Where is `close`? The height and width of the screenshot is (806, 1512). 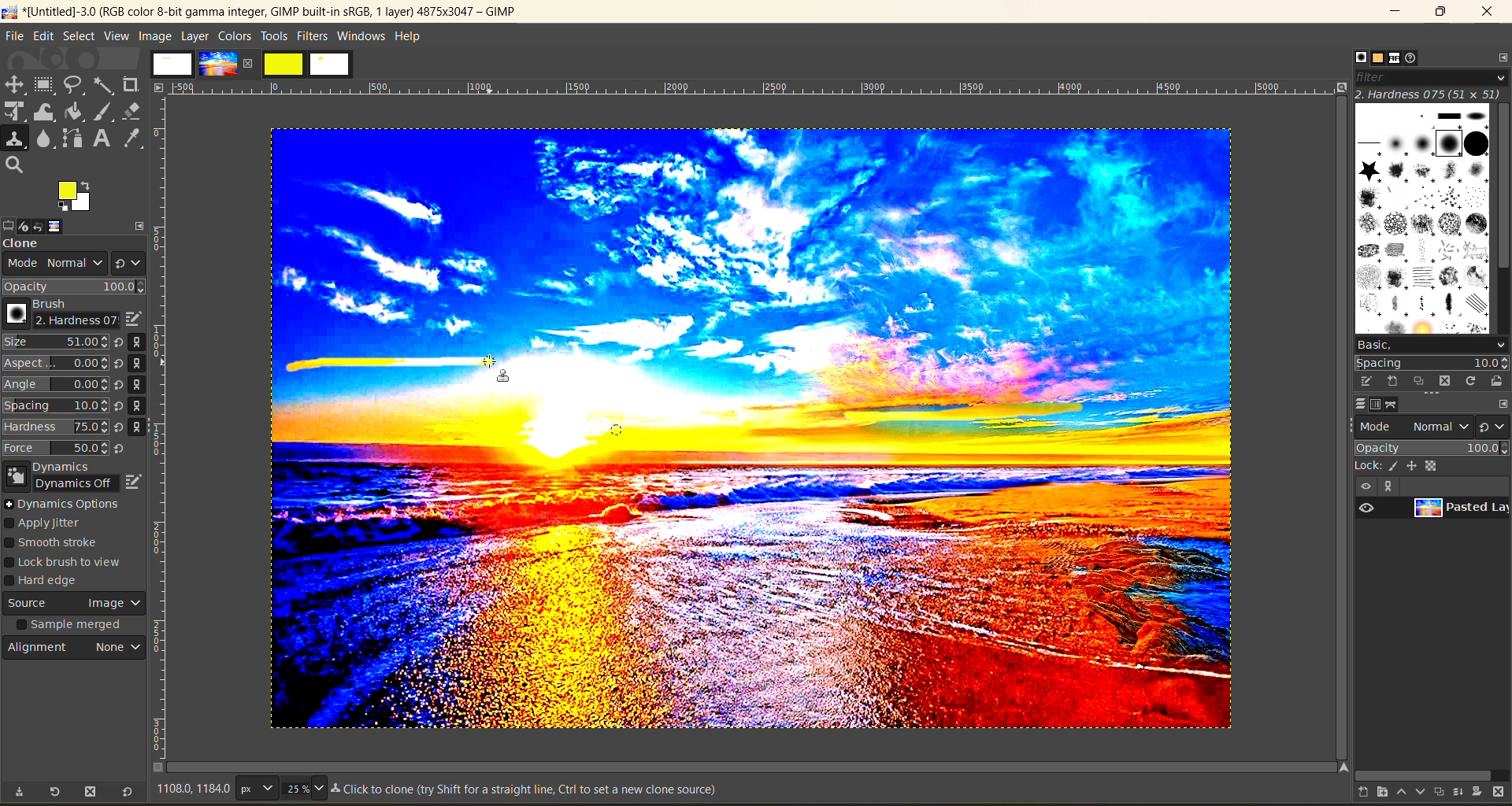
close is located at coordinates (1487, 14).